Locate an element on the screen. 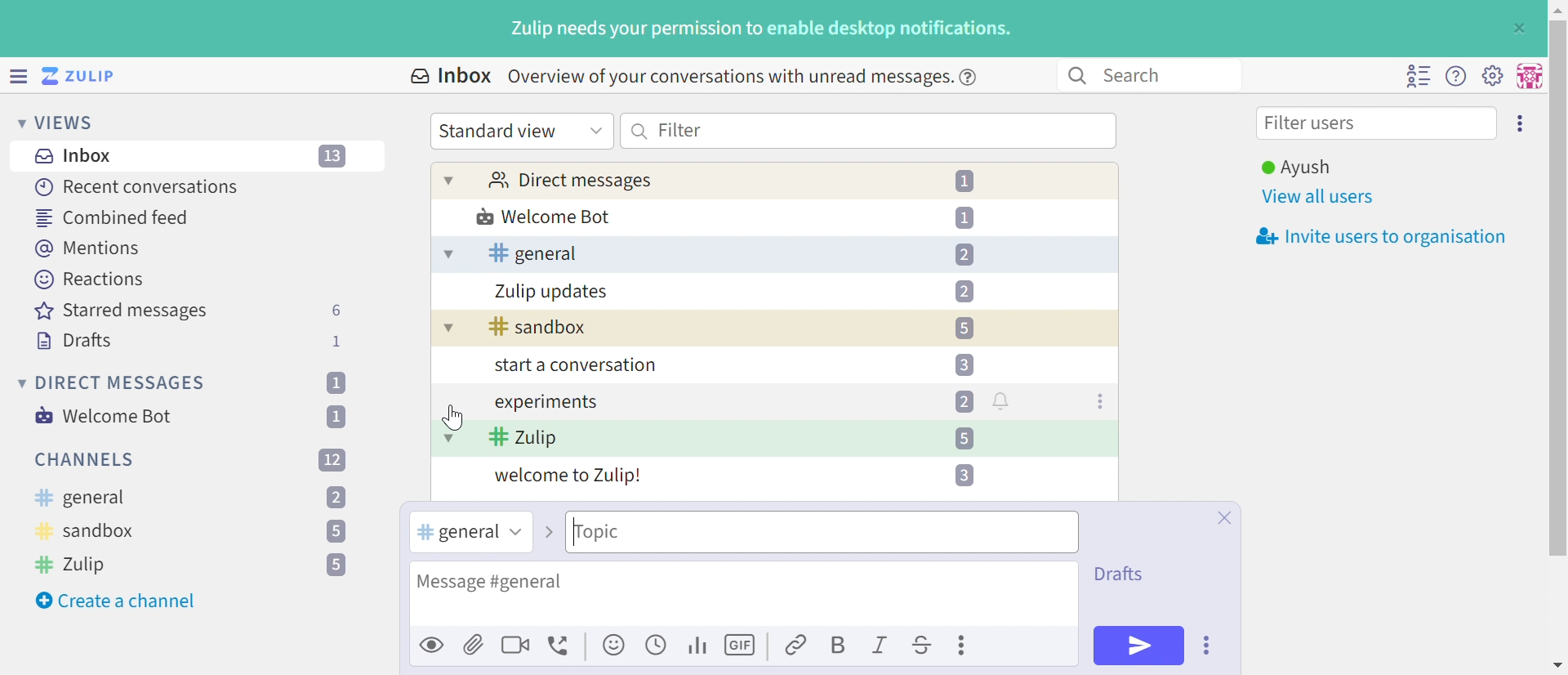 The width and height of the screenshot is (1568, 675). Italic is located at coordinates (881, 647).